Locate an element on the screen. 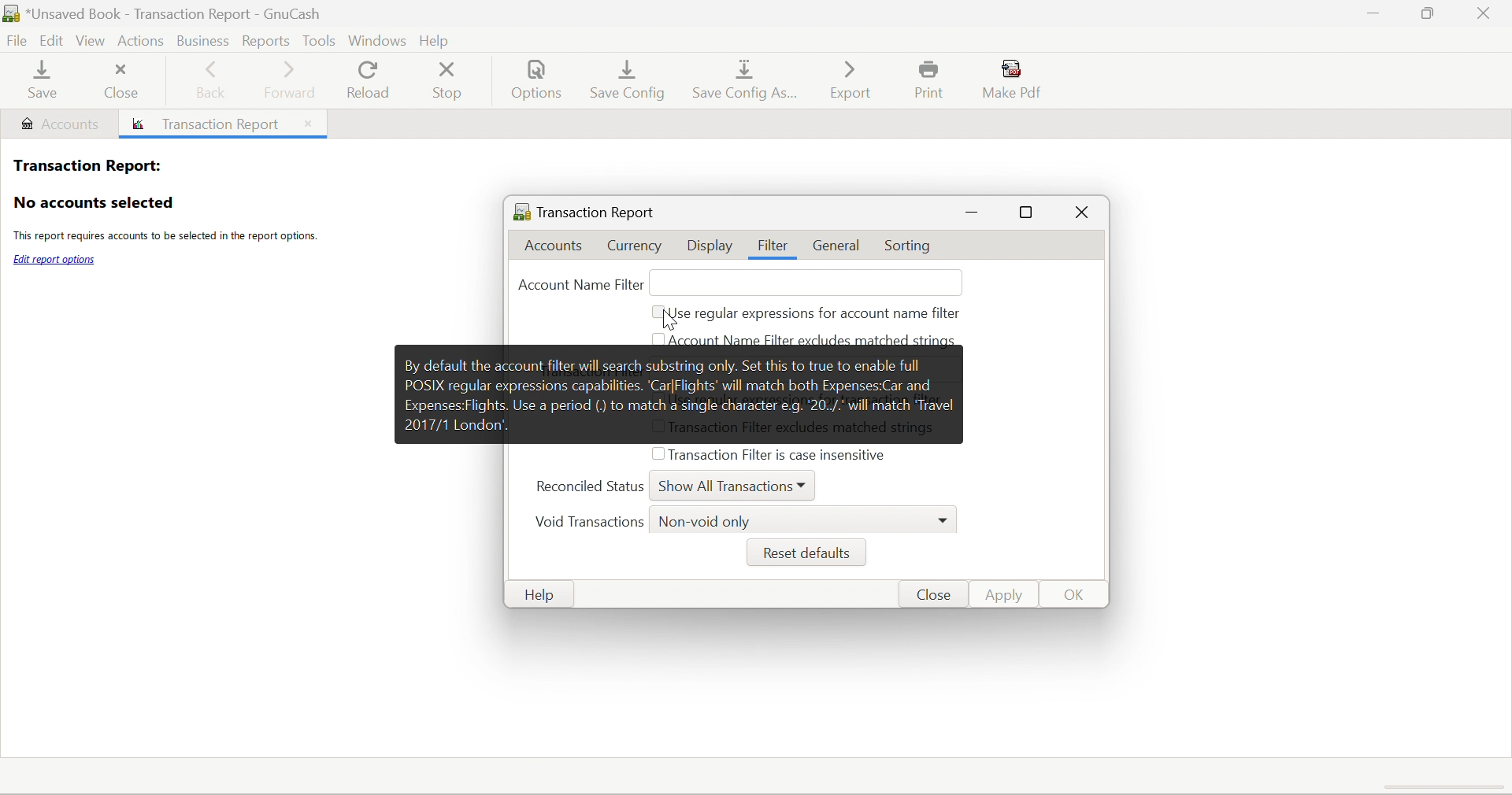  Back is located at coordinates (213, 82).